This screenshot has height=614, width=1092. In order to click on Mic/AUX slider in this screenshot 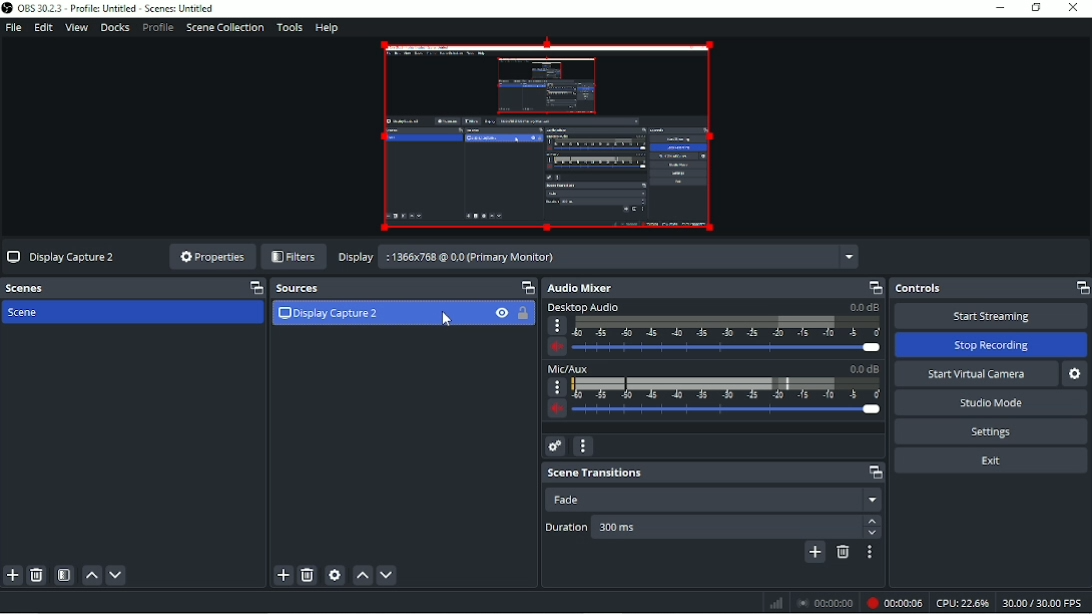, I will do `click(713, 393)`.